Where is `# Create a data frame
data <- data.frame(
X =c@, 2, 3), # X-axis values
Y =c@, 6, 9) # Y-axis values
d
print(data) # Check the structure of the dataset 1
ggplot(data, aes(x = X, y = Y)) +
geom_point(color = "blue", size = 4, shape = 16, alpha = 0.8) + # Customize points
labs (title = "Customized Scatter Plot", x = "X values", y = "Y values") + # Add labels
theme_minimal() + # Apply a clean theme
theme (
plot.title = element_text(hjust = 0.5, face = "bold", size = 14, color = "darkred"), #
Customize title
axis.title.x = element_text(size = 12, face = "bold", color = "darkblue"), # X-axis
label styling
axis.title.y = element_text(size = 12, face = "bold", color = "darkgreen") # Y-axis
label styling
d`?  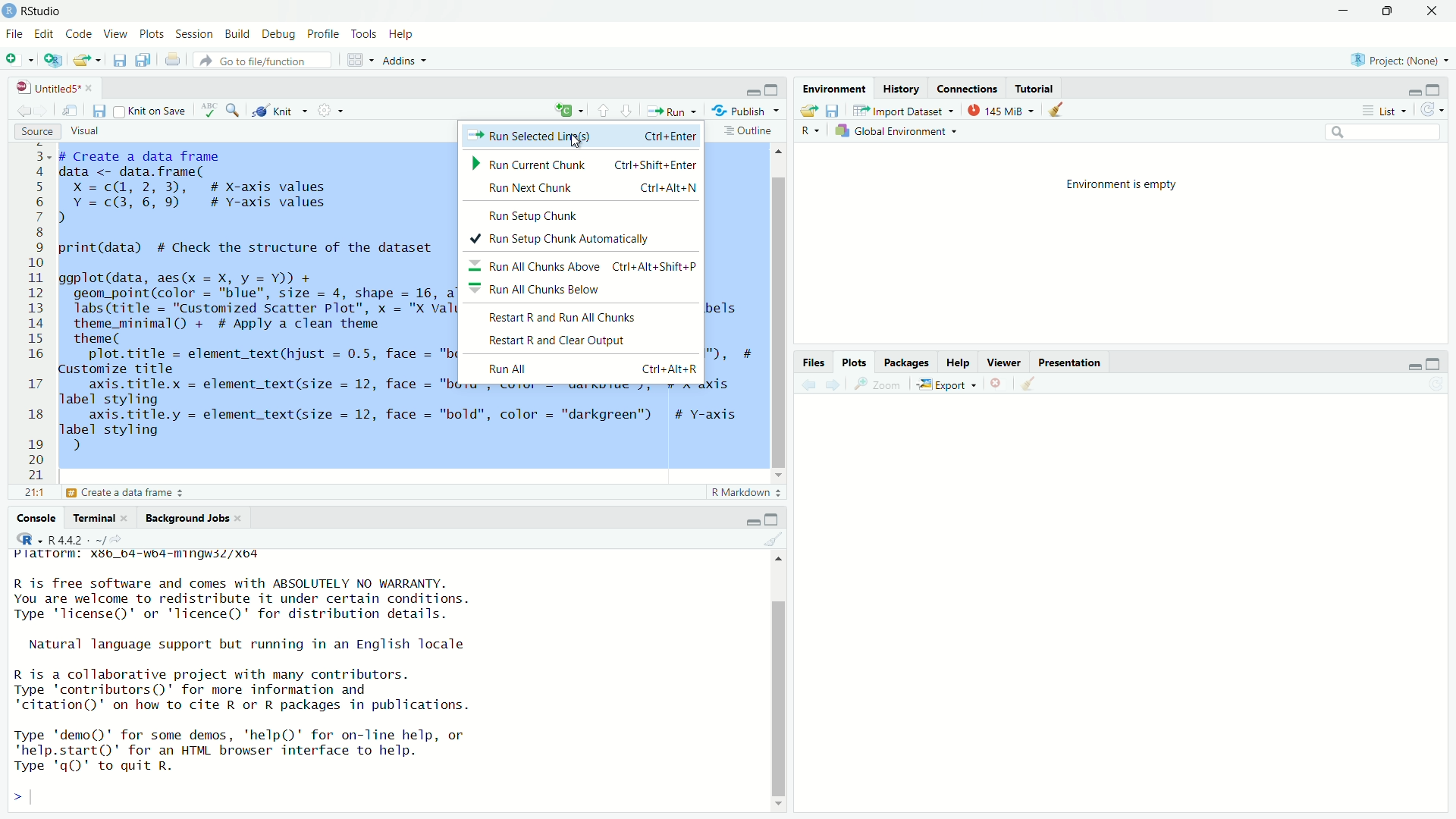 # Create a data frame
data <- data.frame(
X =c@, 2, 3), # X-axis values
Y =c@, 6, 9) # Y-axis values
d
print(data) # Check the structure of the dataset 1
ggplot(data, aes(x = X, y = Y)) +
geom_point(color = "blue", size = 4, shape = 16, alpha = 0.8) + # Customize points
labs (title = "Customized Scatter Plot", x = "X values", y = "Y values") + # Add labels
theme_minimal() + # Apply a clean theme
theme (
plot.title = element_text(hjust = 0.5, face = "bold", size = 14, color = "darkred"), #
Customize title
axis.title.x = element_text(size = 12, face = "bold", color = "darkblue"), # X-axis
label styling
axis.title.y = element_text(size = 12, face = "bold", color = "darkgreen") # Y-axis
label styling
d is located at coordinates (255, 260).